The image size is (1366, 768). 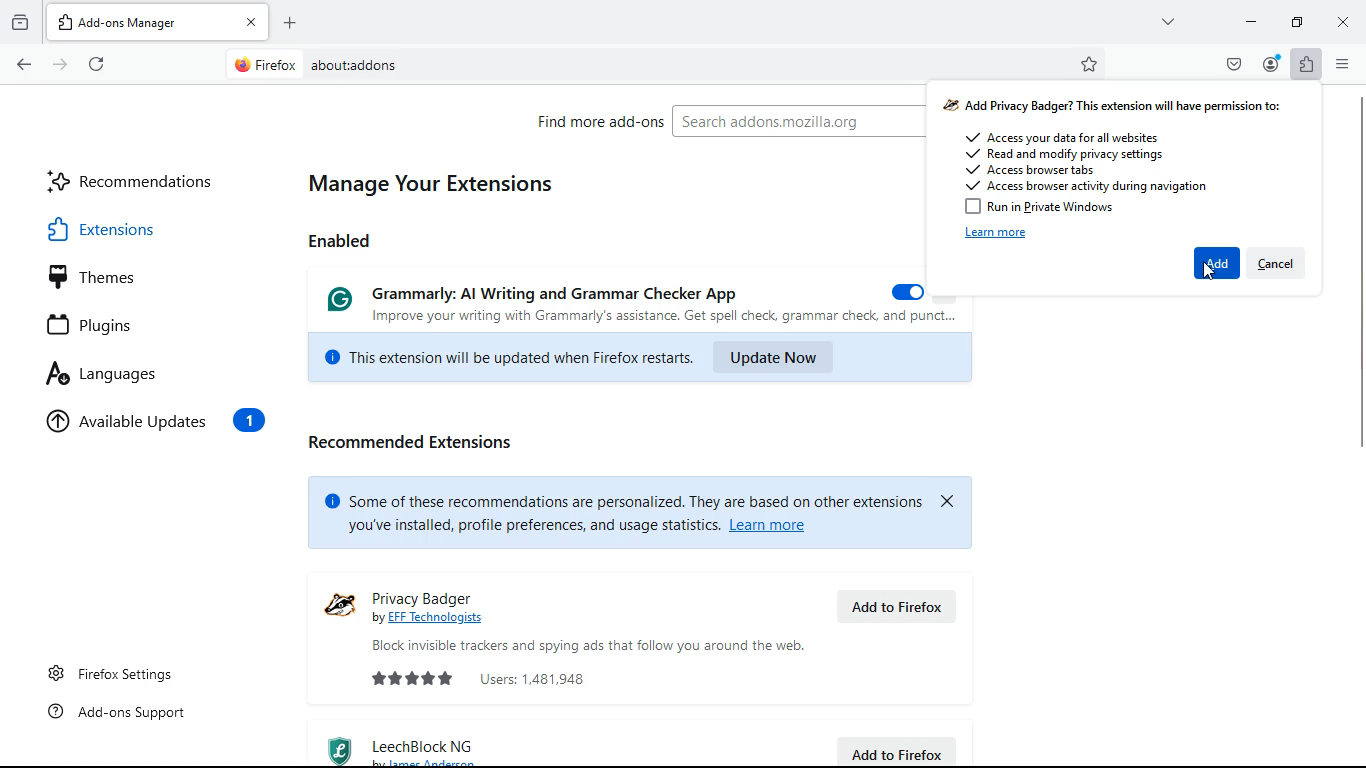 What do you see at coordinates (266, 65) in the screenshot?
I see `Firefox` at bounding box center [266, 65].